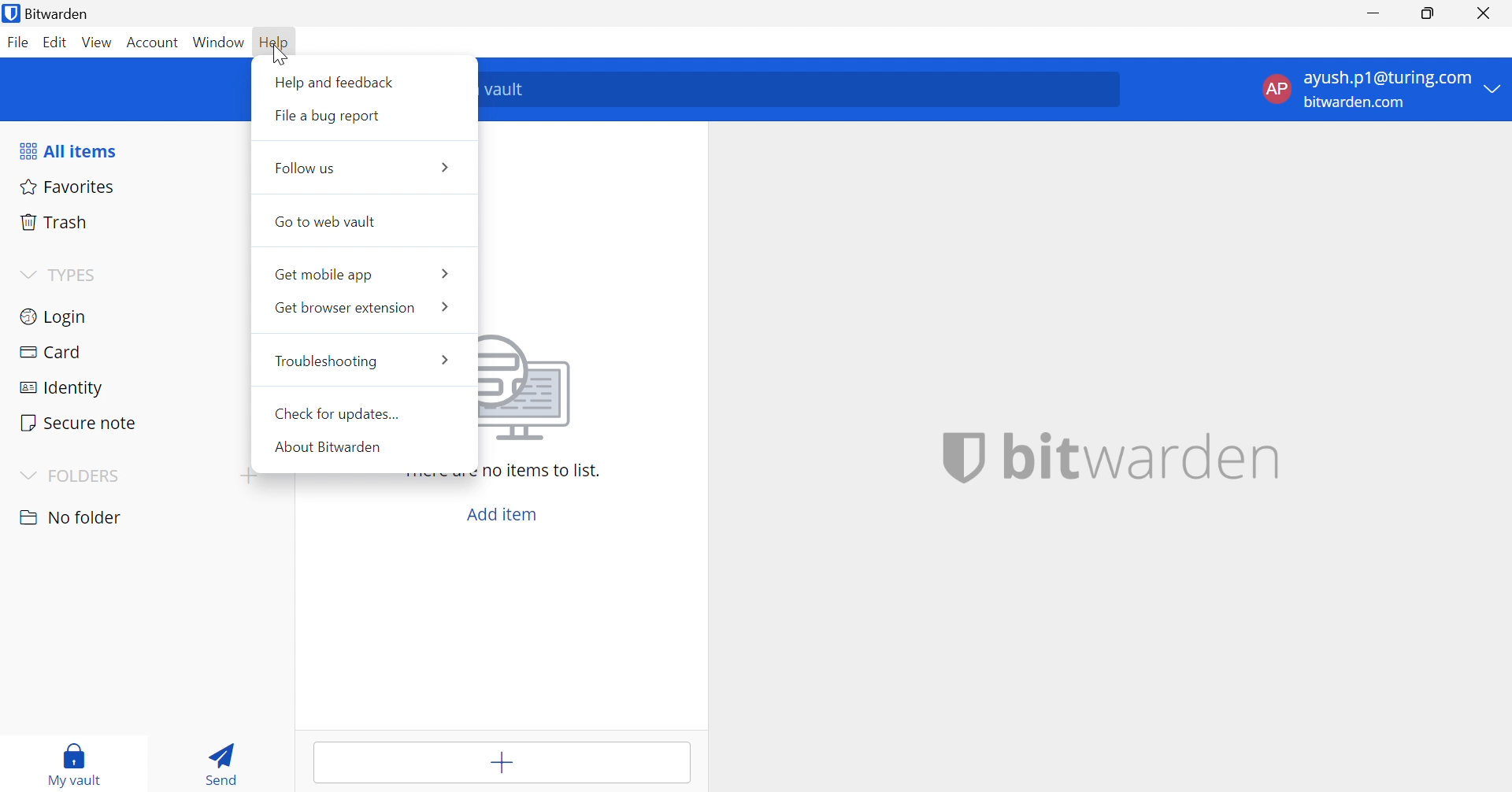 The height and width of the screenshot is (792, 1512). What do you see at coordinates (127, 424) in the screenshot?
I see `Secure note` at bounding box center [127, 424].